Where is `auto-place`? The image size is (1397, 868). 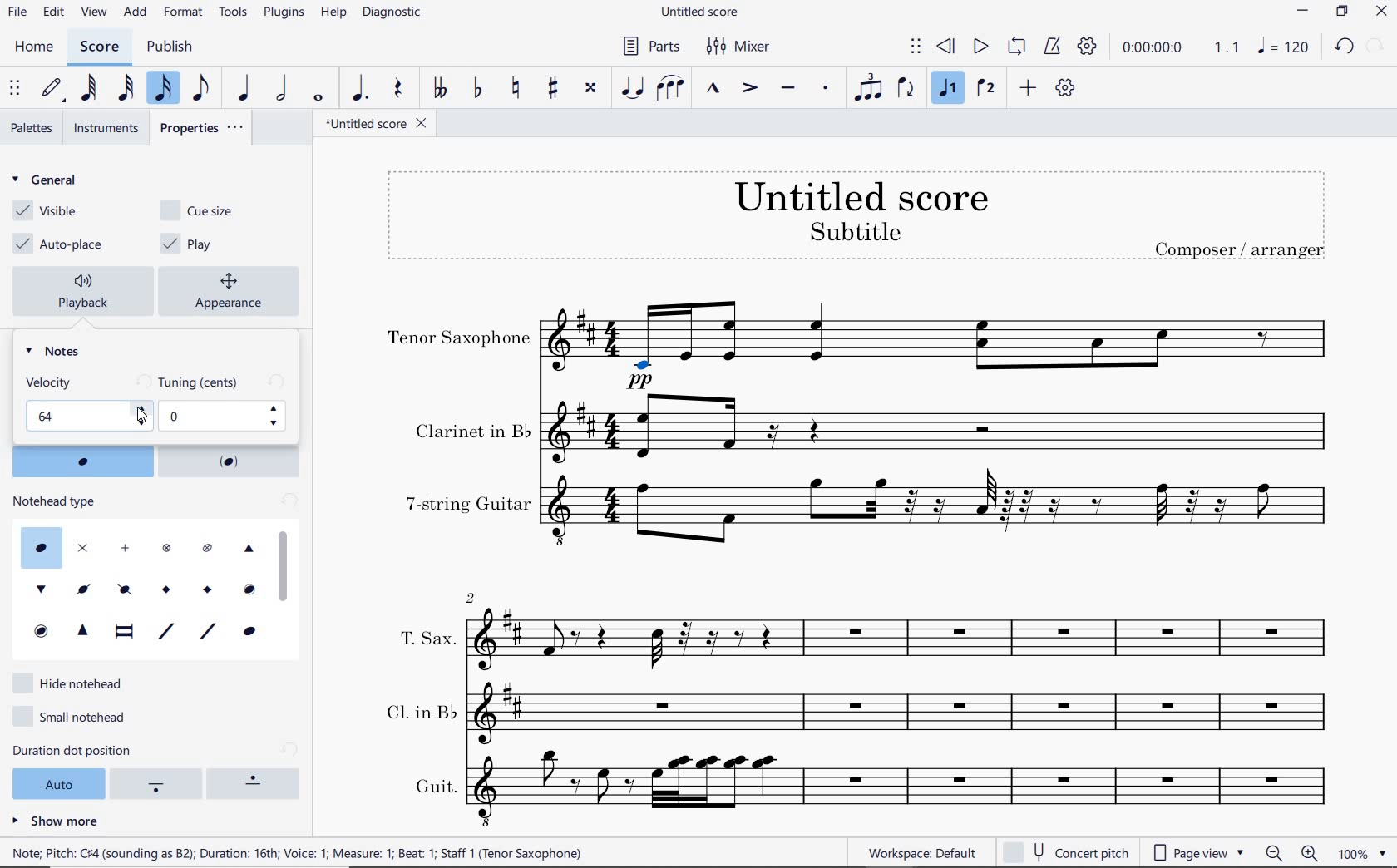
auto-place is located at coordinates (62, 244).